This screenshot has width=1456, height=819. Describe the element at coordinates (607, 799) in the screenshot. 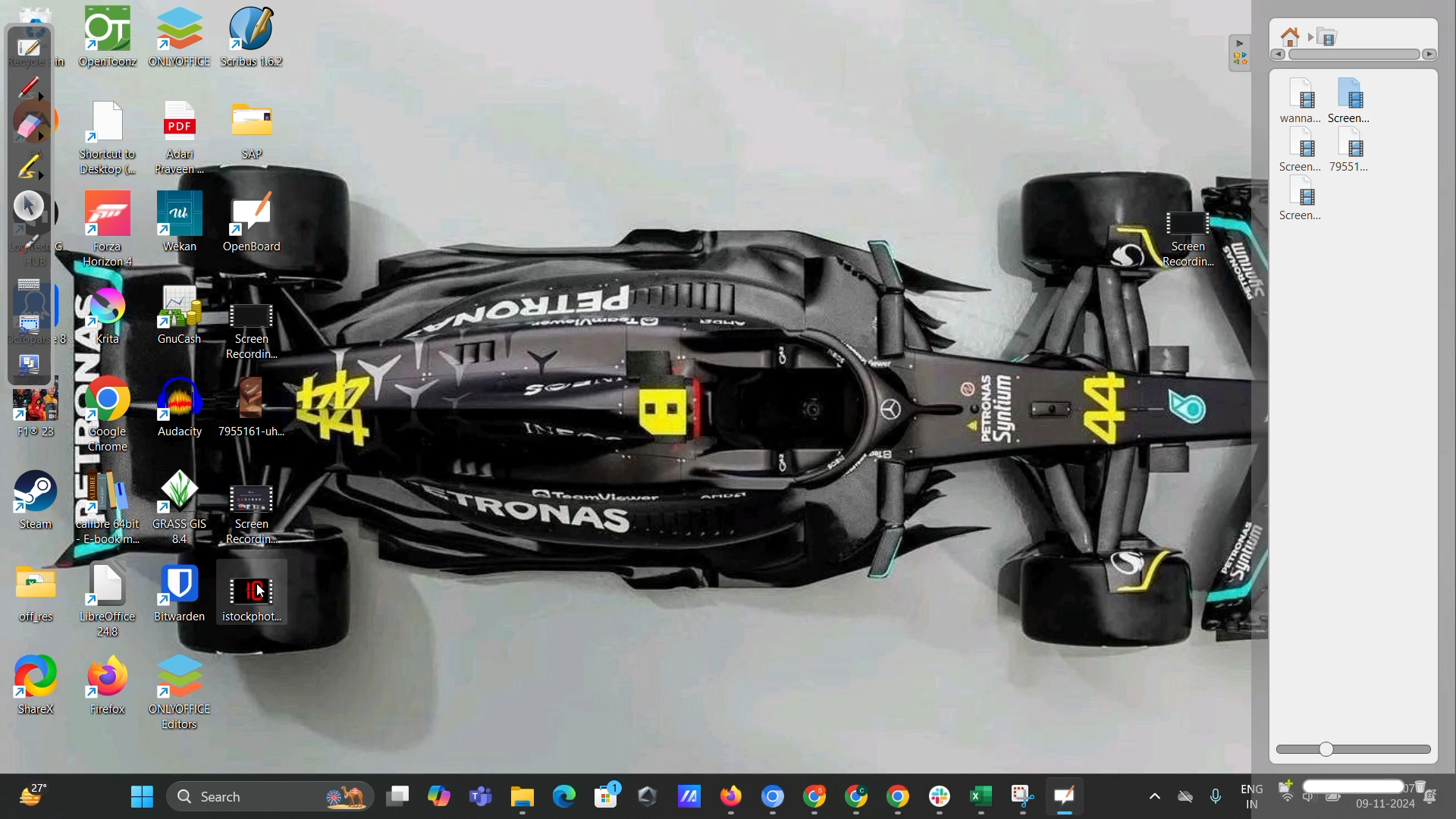

I see `microsoft store` at that location.